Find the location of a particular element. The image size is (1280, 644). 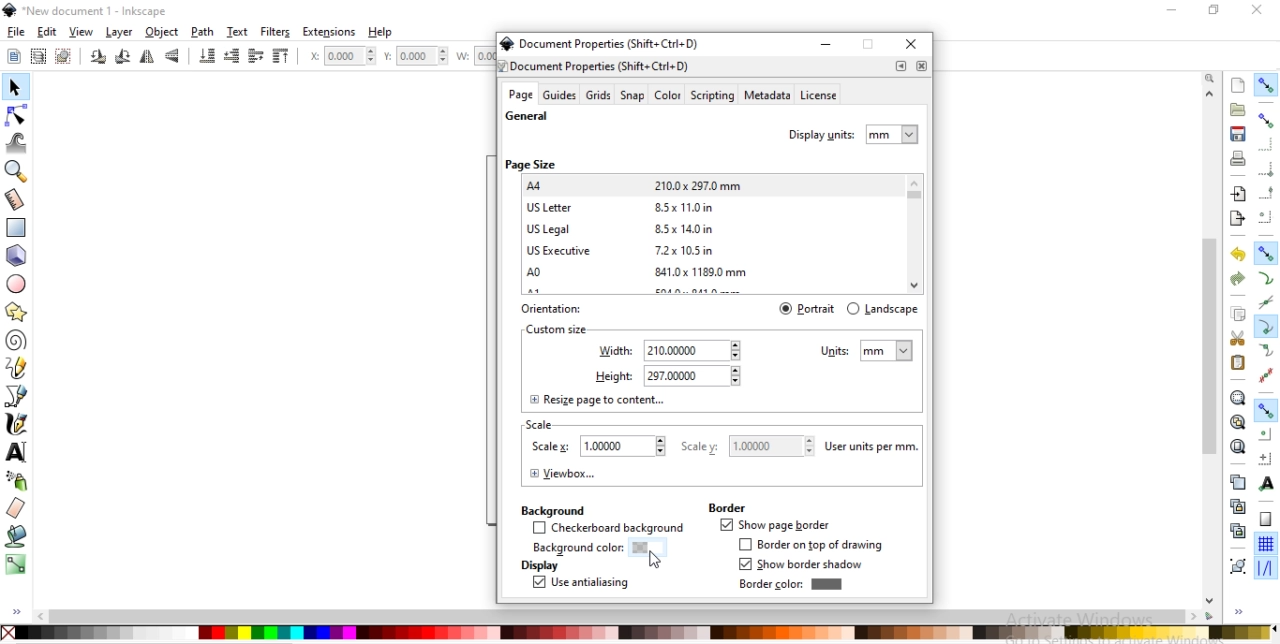

snap nodes, paths and handles is located at coordinates (1266, 253).